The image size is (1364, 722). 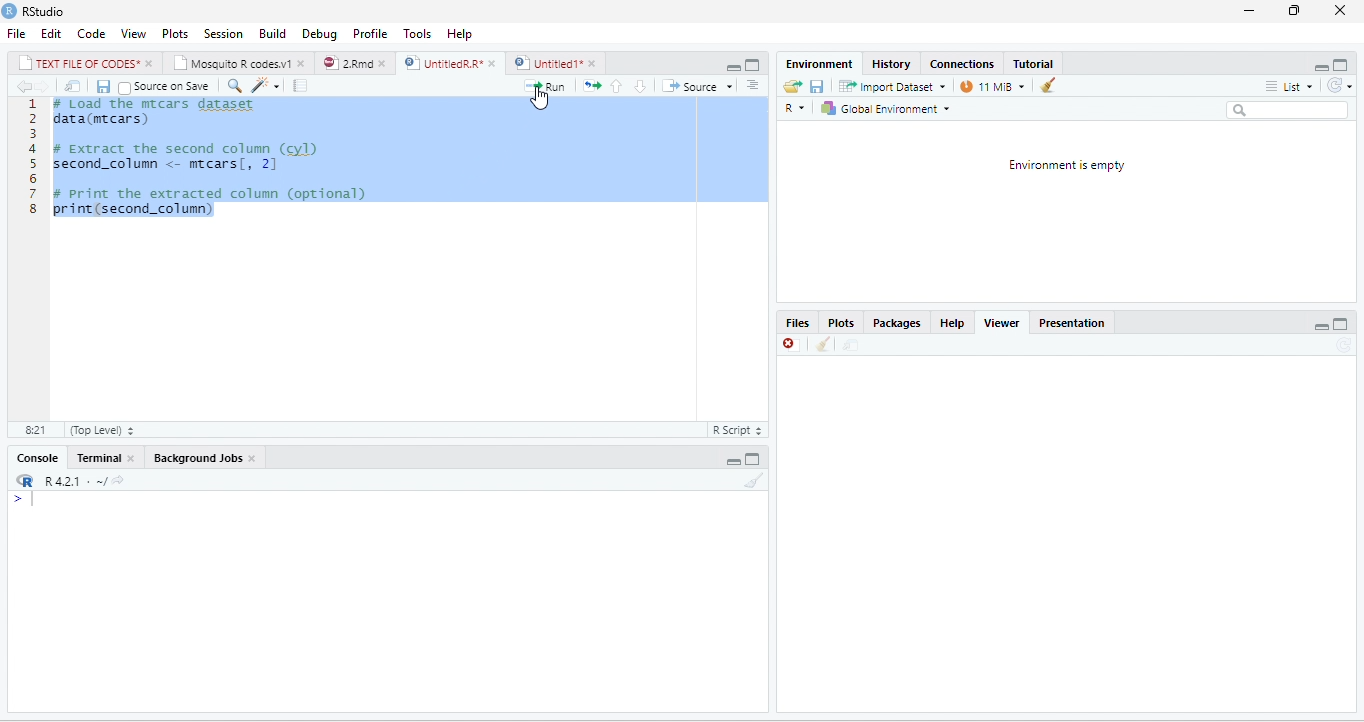 I want to click on minimize, so click(x=1320, y=324).